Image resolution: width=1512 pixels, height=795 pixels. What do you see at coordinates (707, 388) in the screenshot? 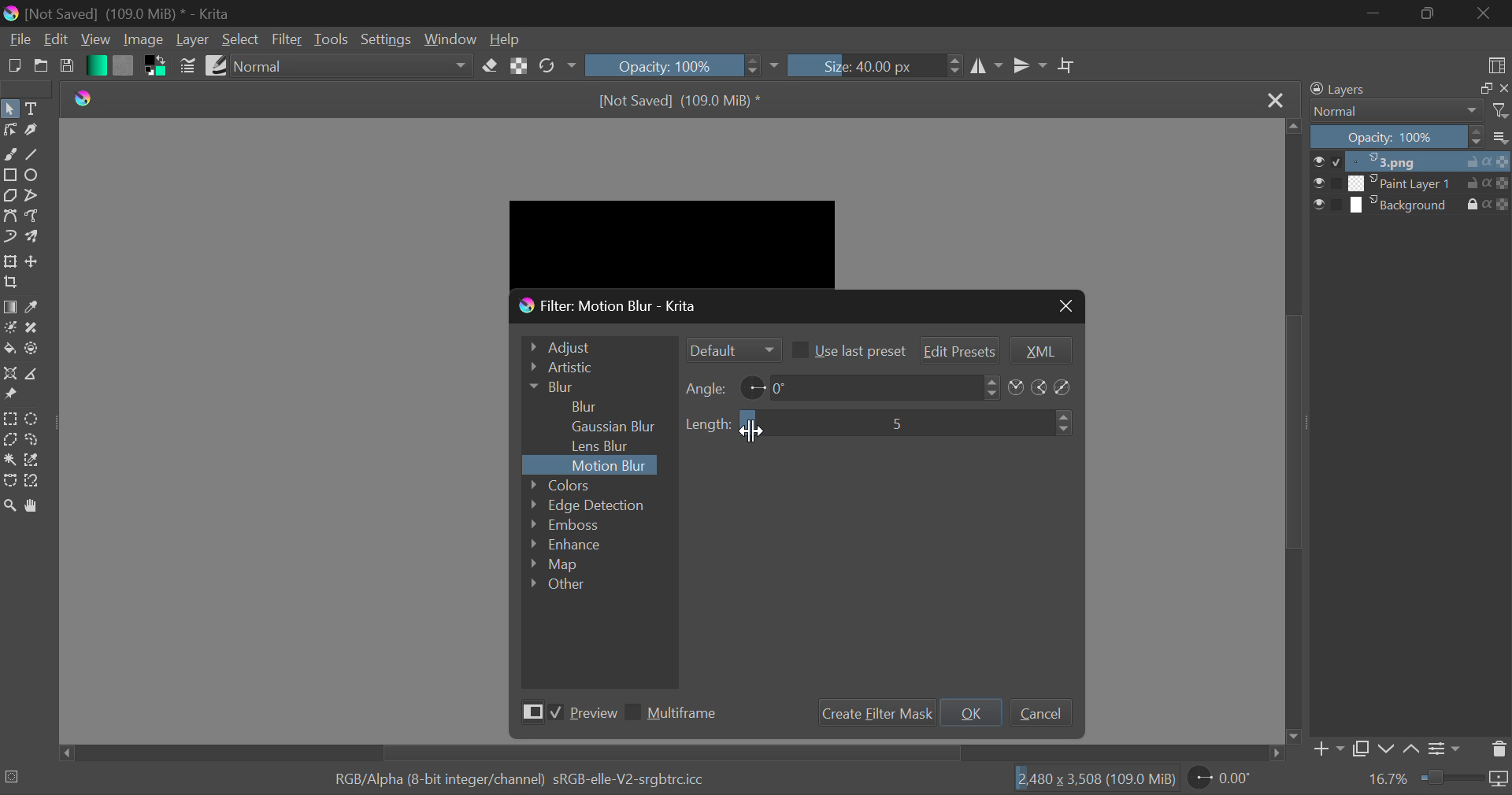
I see `Angle` at bounding box center [707, 388].